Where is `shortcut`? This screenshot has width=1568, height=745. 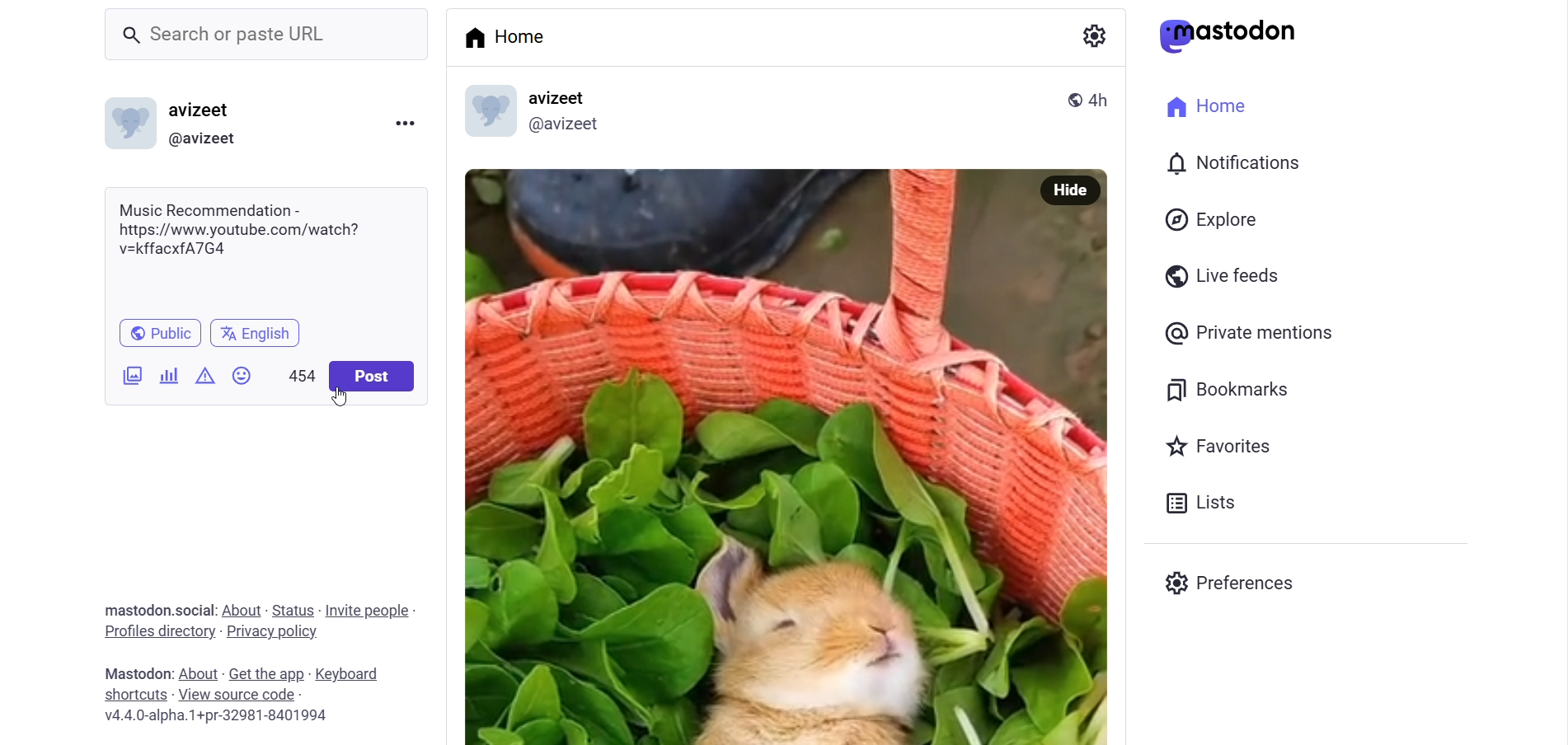 shortcut is located at coordinates (134, 692).